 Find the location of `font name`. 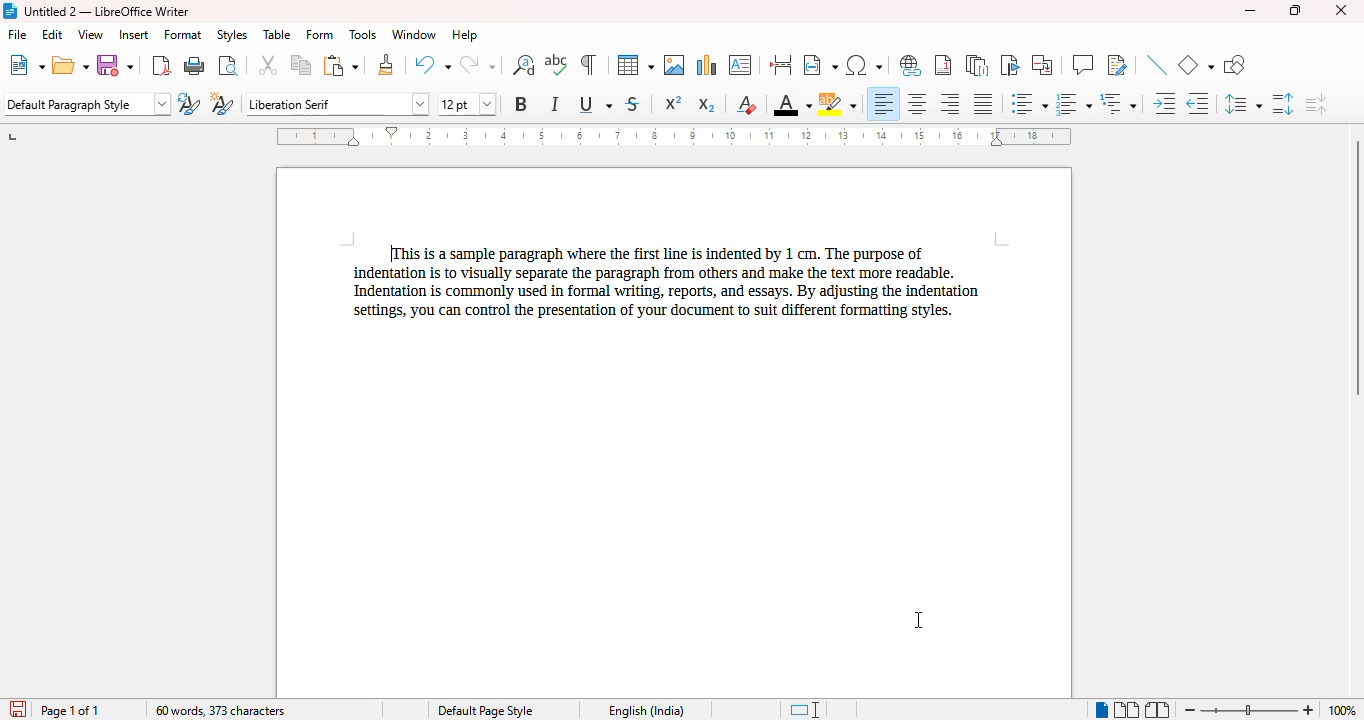

font name is located at coordinates (338, 103).